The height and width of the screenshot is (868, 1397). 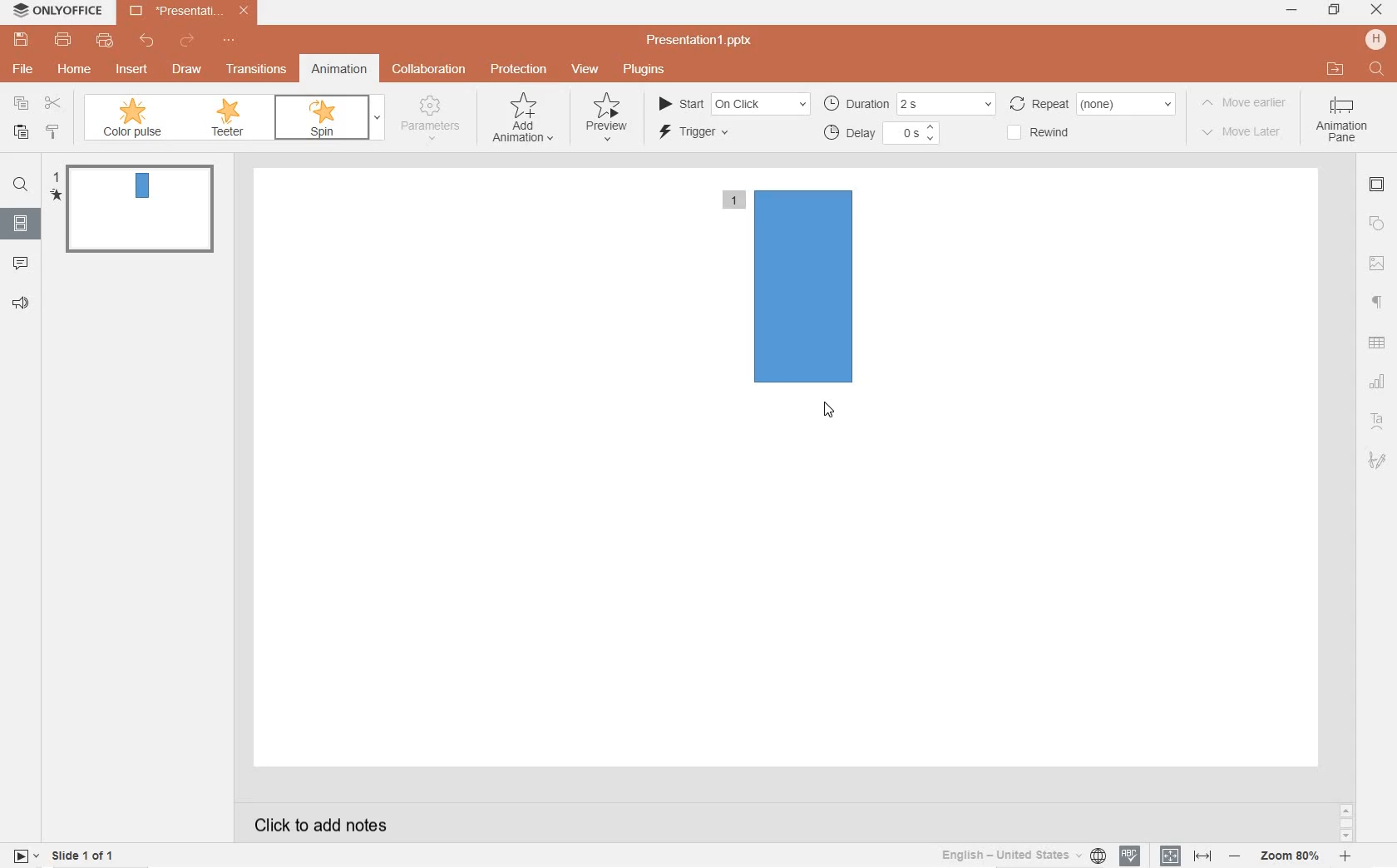 What do you see at coordinates (1377, 224) in the screenshot?
I see `shape settings` at bounding box center [1377, 224].